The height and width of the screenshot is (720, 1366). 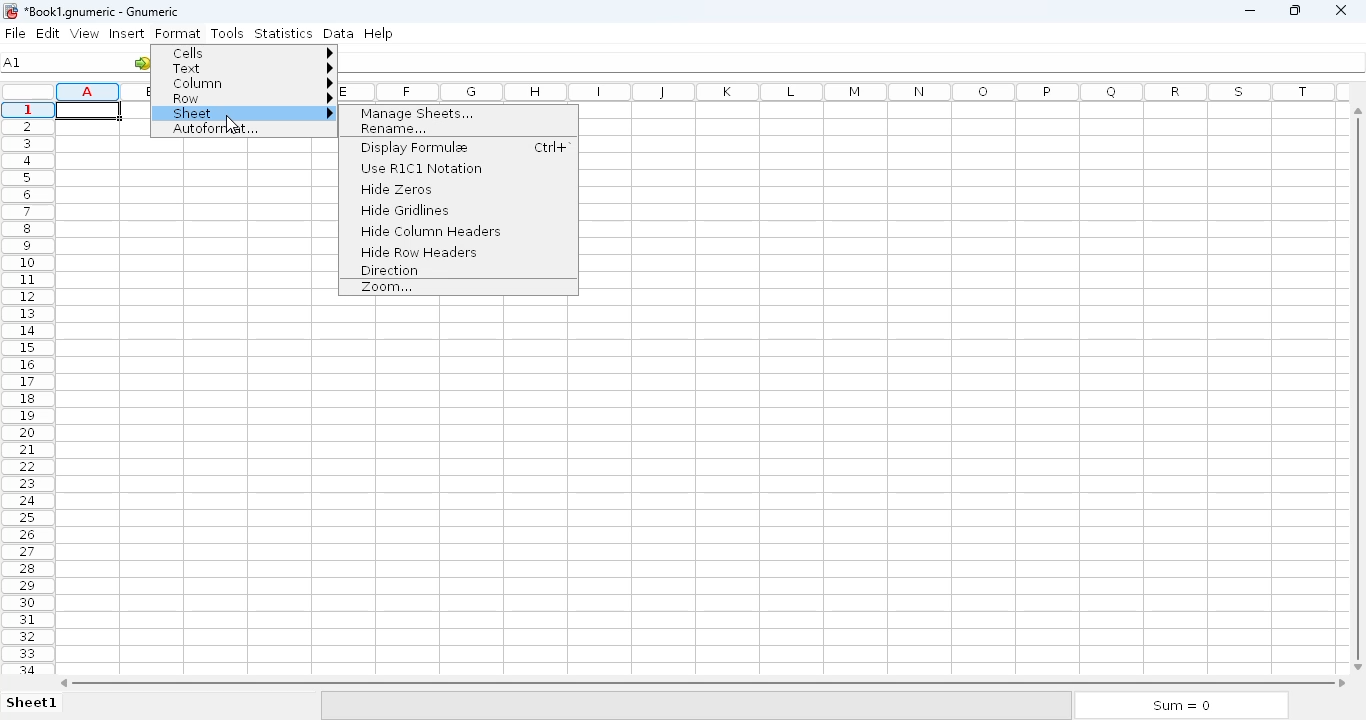 I want to click on edit, so click(x=49, y=33).